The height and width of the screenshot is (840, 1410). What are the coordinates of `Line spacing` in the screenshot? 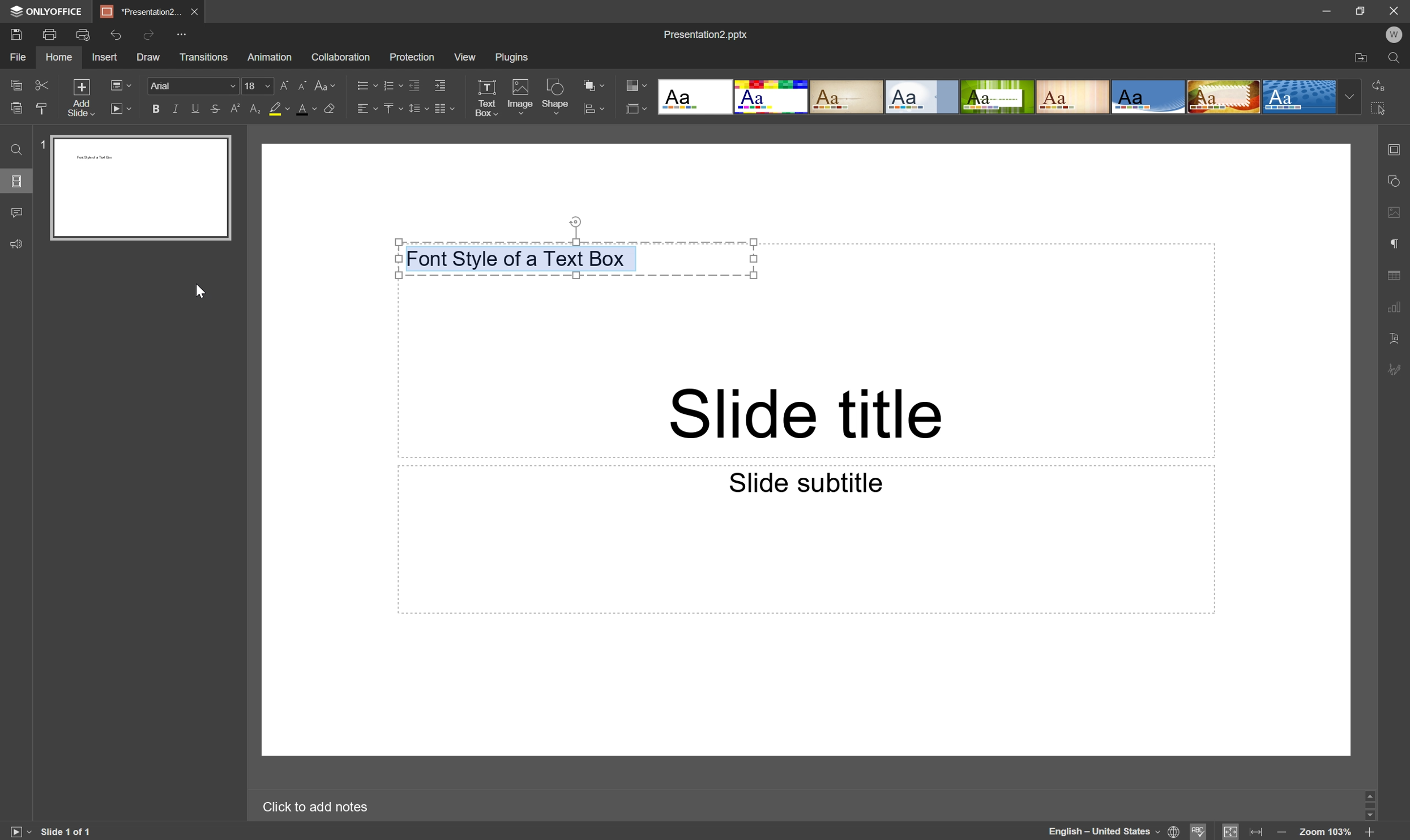 It's located at (418, 108).